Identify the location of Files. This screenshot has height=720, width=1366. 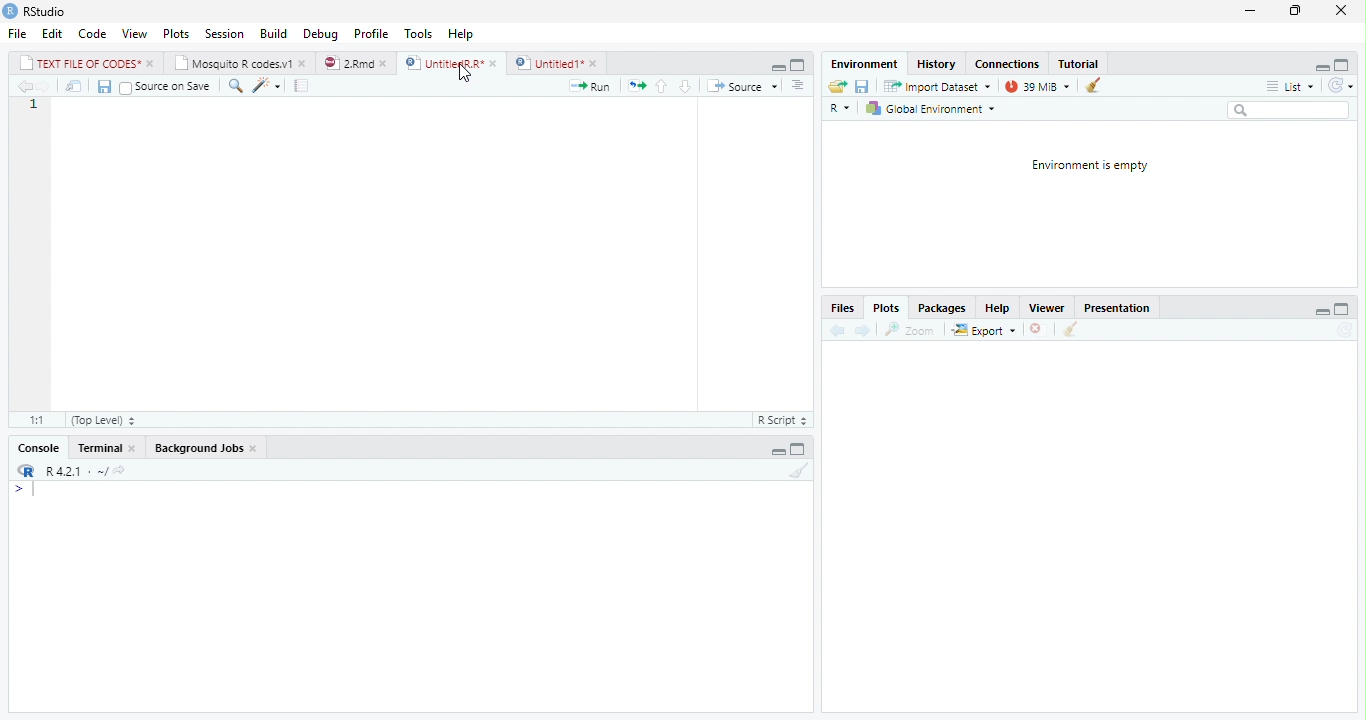
(842, 308).